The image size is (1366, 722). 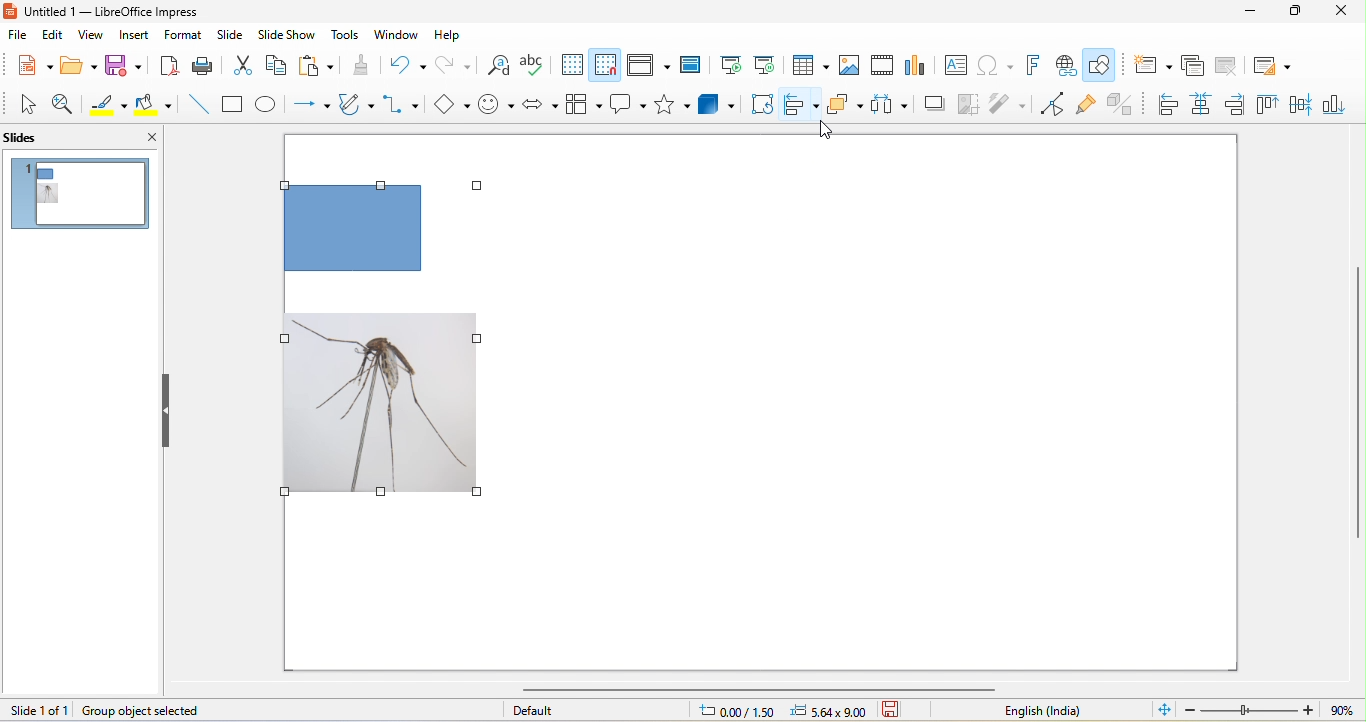 I want to click on top, so click(x=1269, y=107).